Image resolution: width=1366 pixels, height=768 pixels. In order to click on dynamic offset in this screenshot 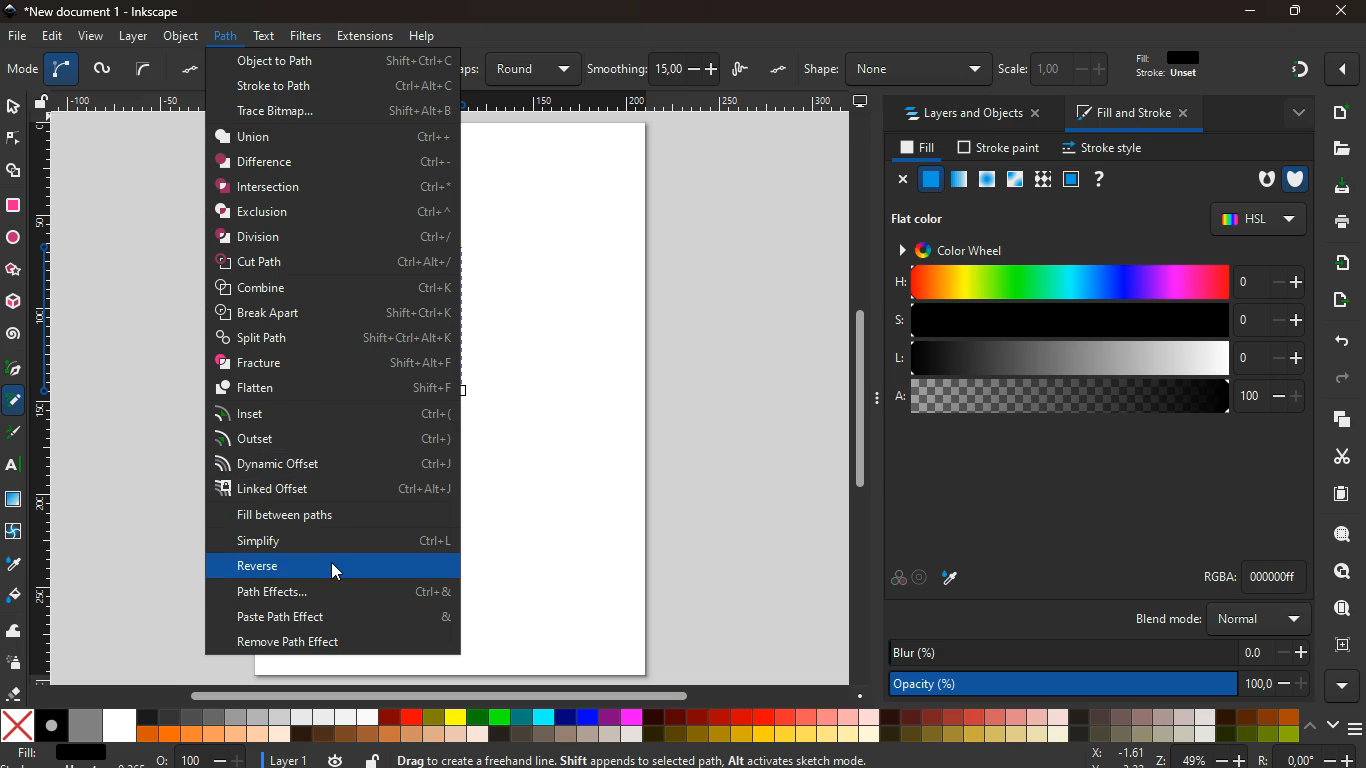, I will do `click(331, 464)`.